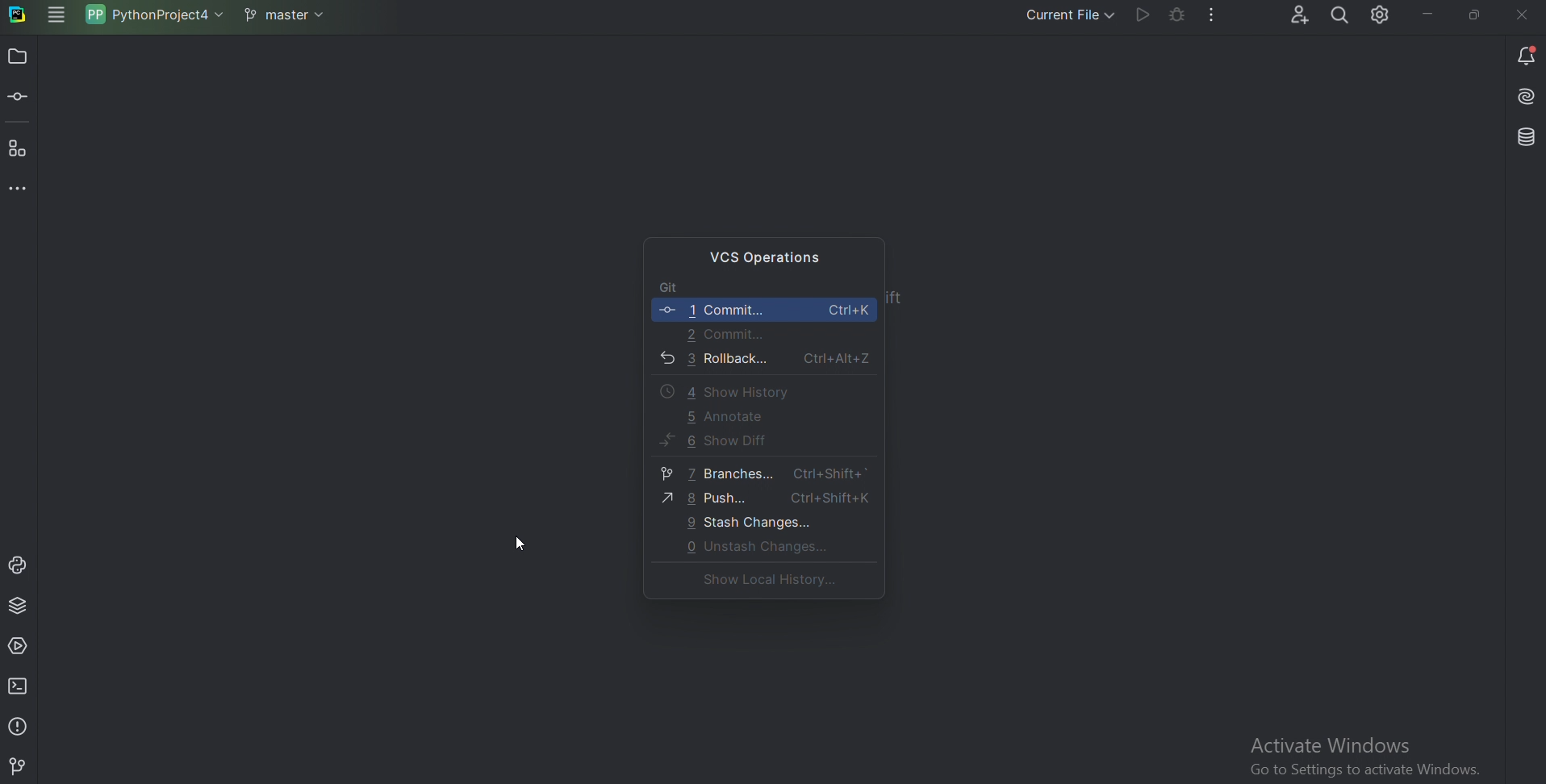 The image size is (1546, 784). Describe the element at coordinates (1209, 17) in the screenshot. I see `More actions` at that location.